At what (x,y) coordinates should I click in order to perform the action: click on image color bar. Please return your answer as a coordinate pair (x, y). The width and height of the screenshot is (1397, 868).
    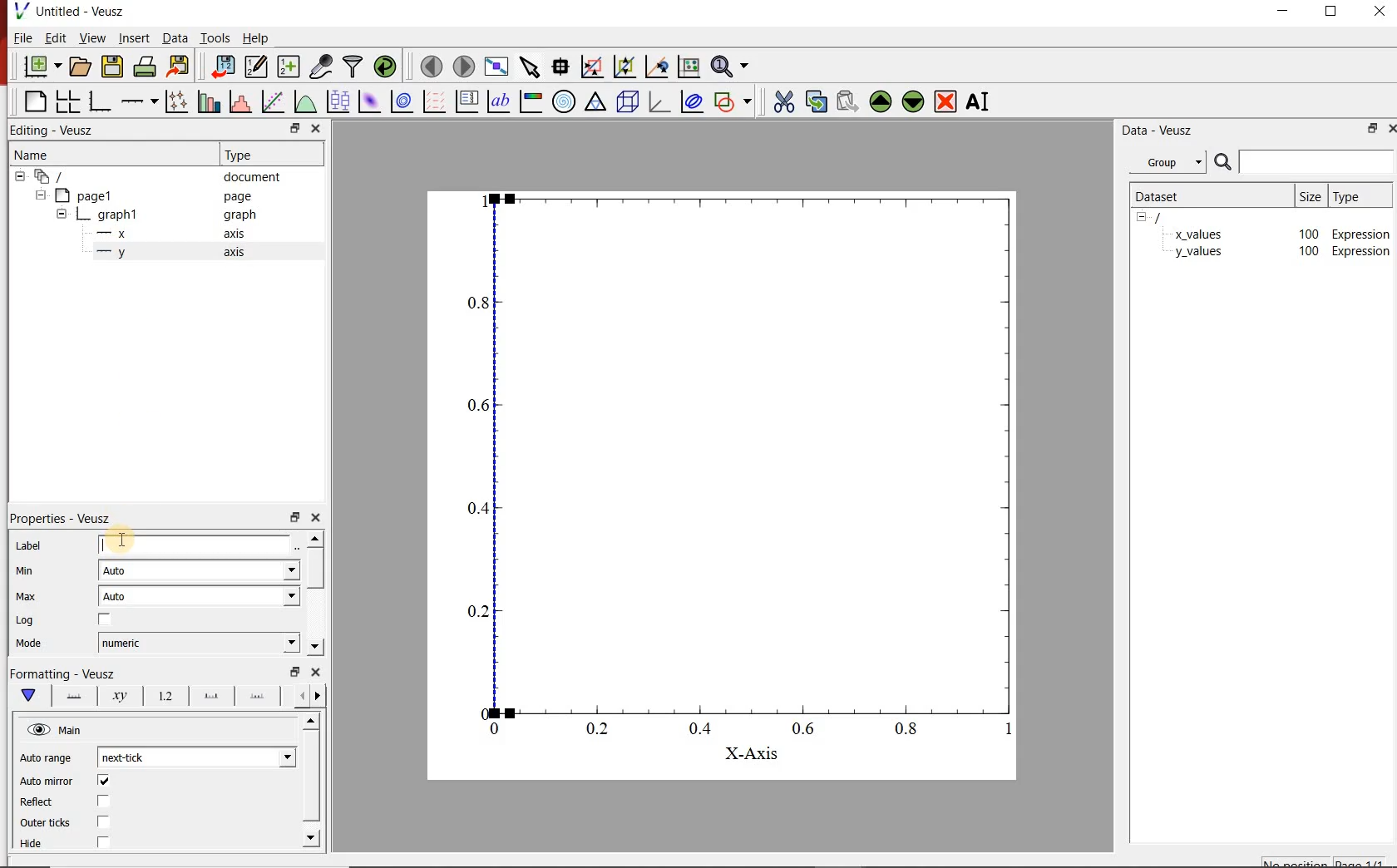
    Looking at the image, I should click on (531, 102).